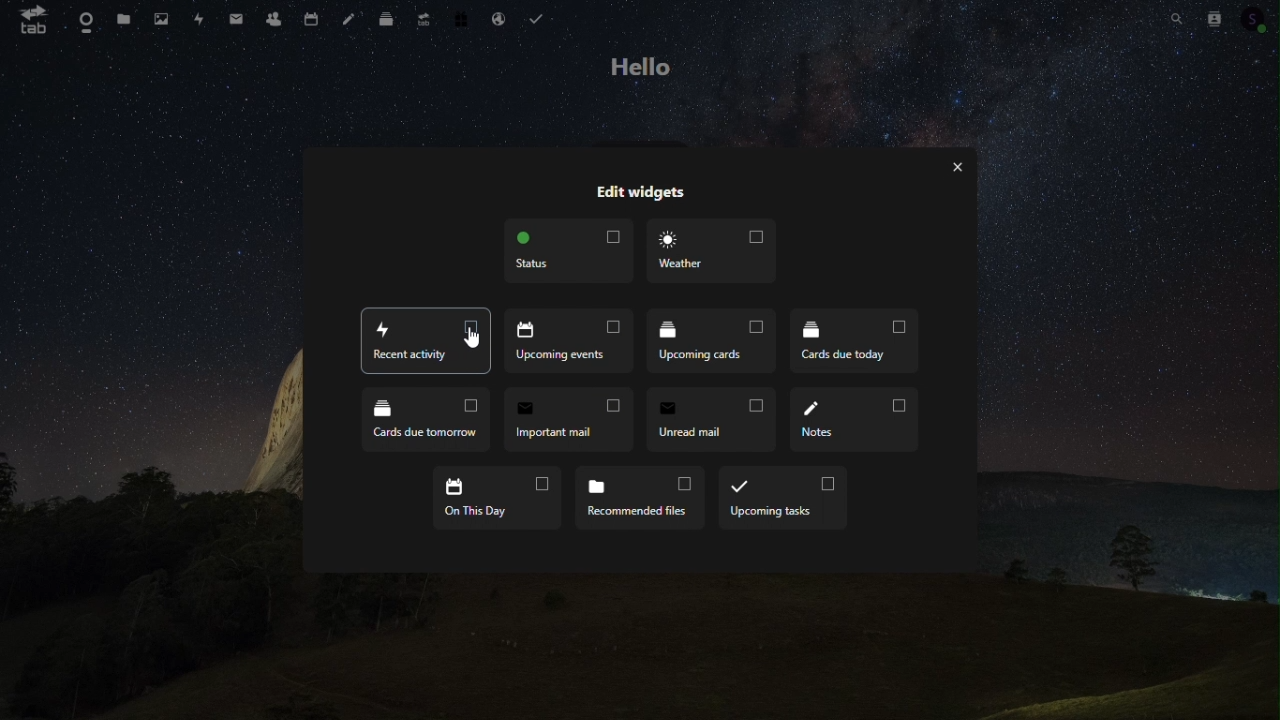 This screenshot has width=1280, height=720. What do you see at coordinates (712, 253) in the screenshot?
I see `Weather` at bounding box center [712, 253].